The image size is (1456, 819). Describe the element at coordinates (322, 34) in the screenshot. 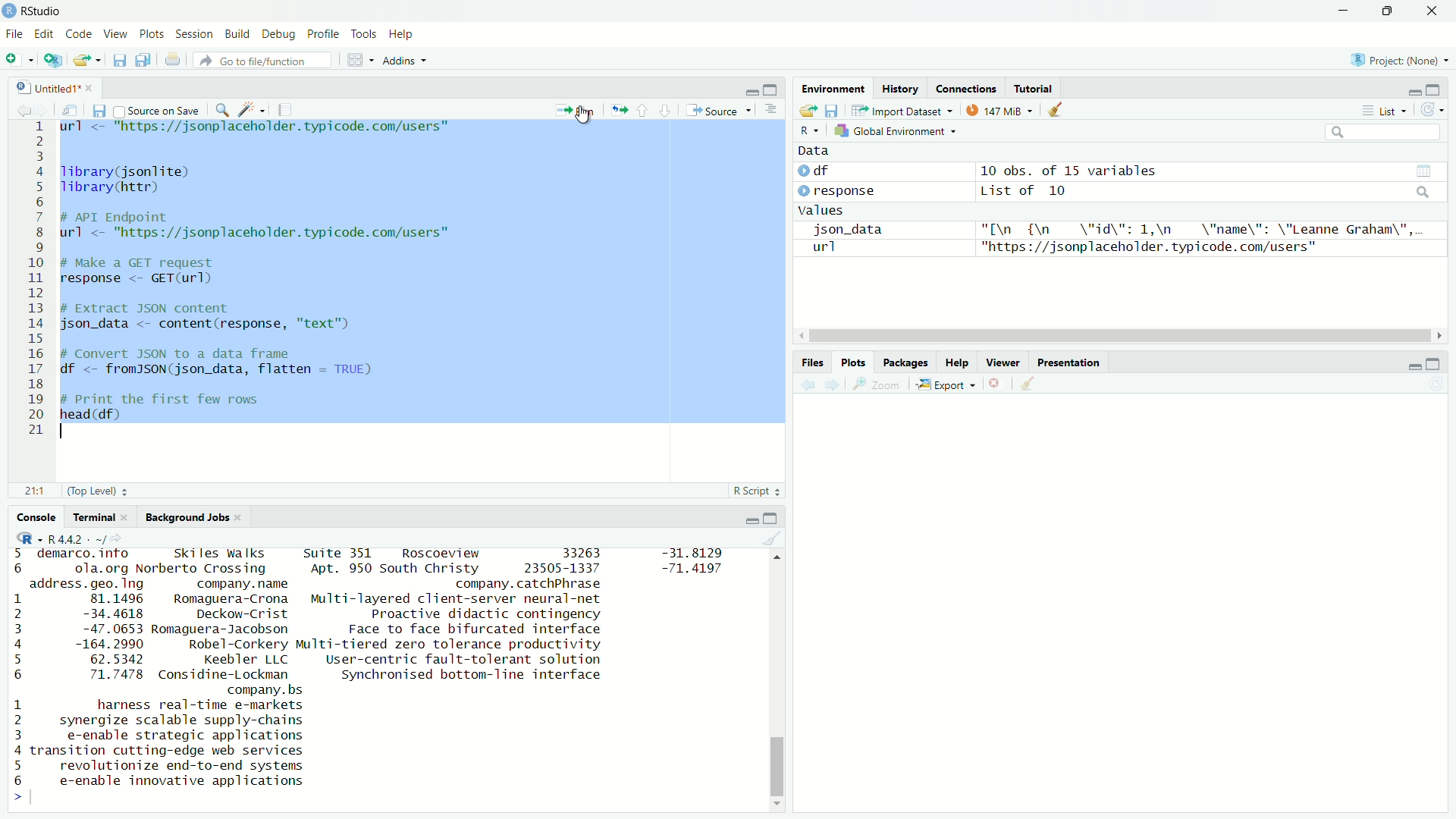

I see `Profile` at that location.